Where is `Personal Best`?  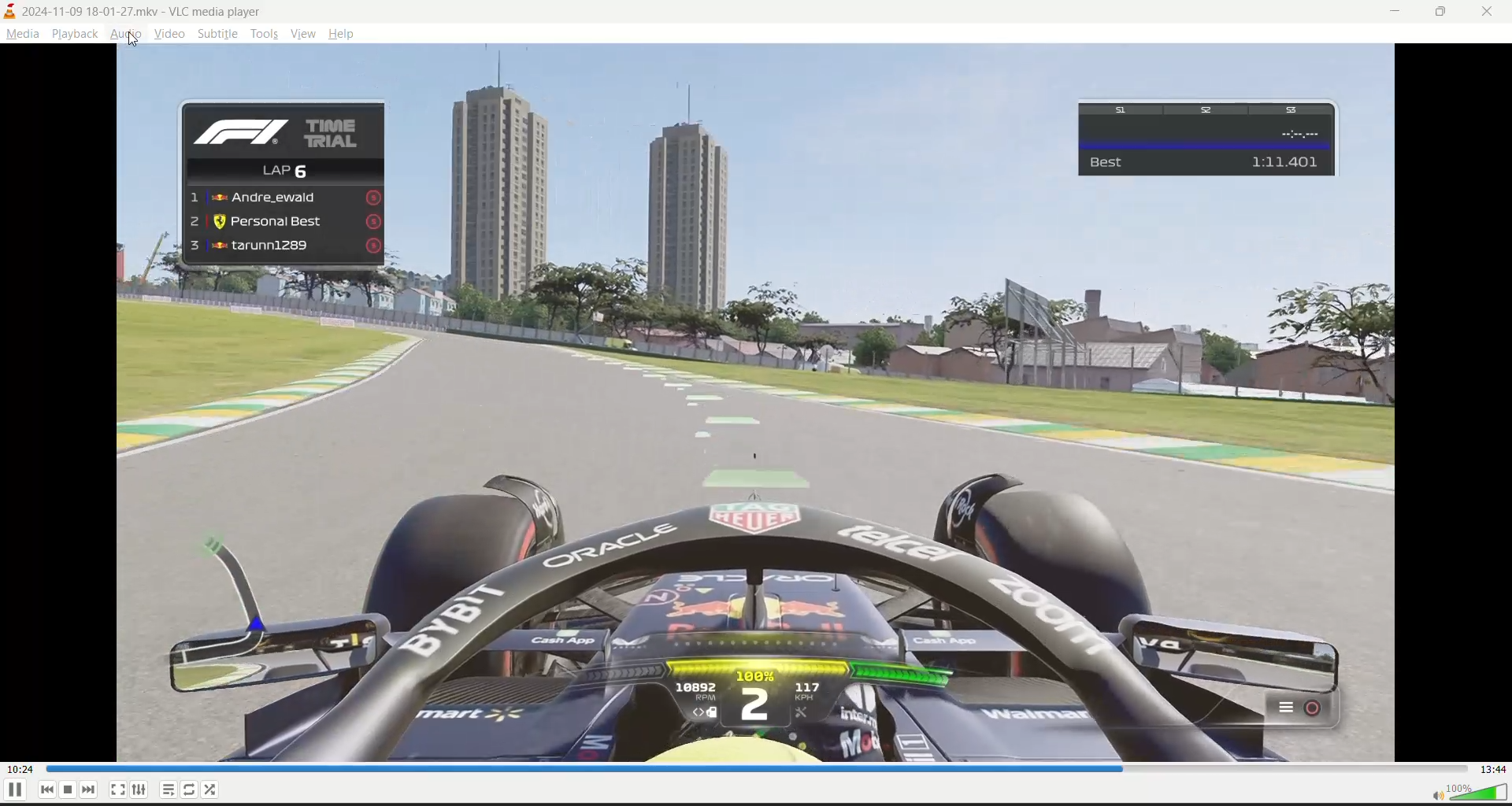
Personal Best is located at coordinates (284, 221).